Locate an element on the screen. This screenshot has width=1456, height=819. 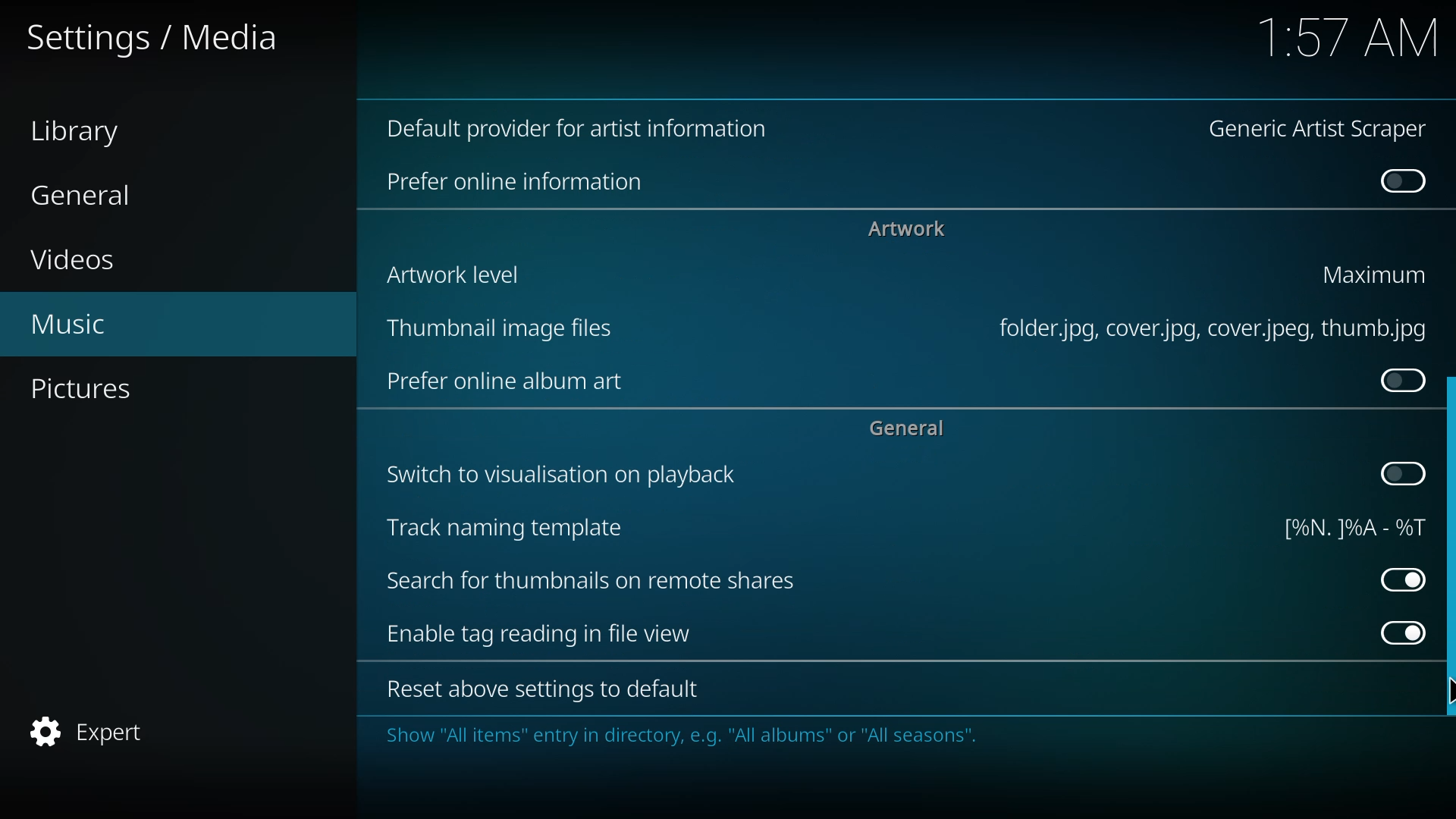
music is located at coordinates (68, 325).